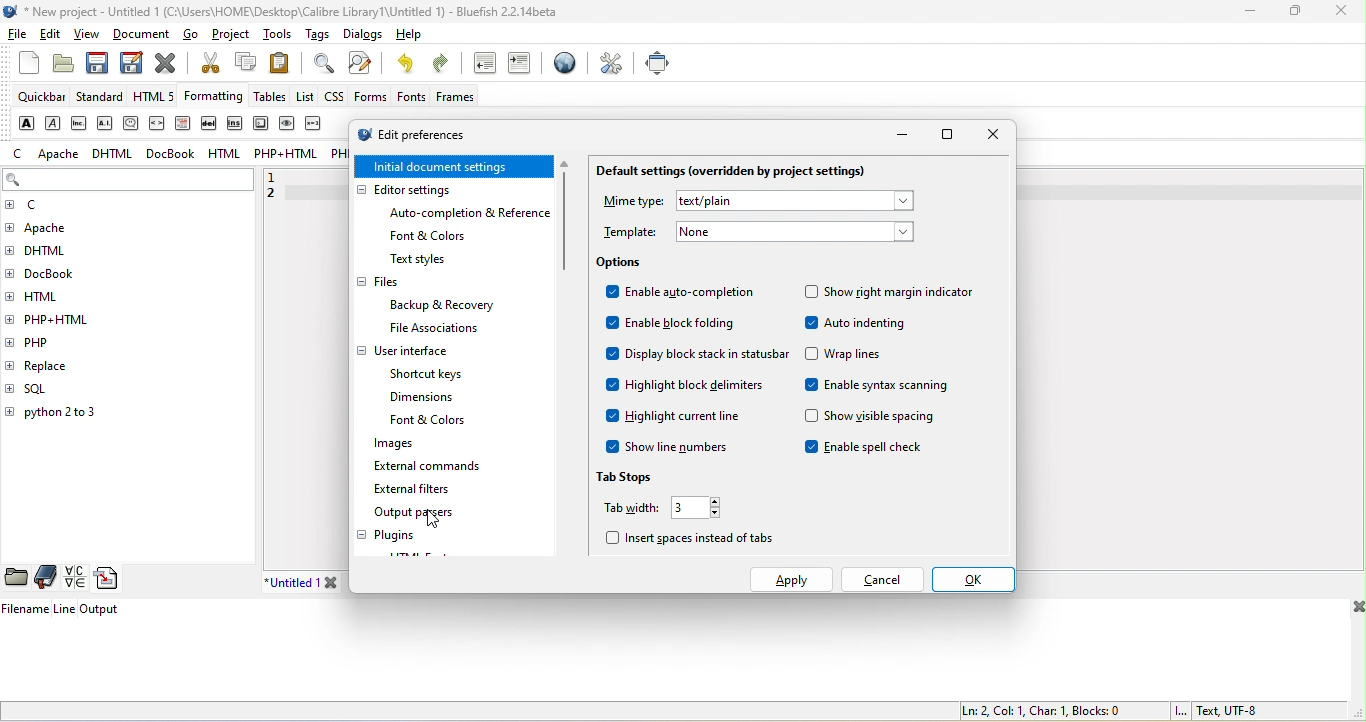 Image resolution: width=1366 pixels, height=722 pixels. Describe the element at coordinates (424, 329) in the screenshot. I see `file associations` at that location.